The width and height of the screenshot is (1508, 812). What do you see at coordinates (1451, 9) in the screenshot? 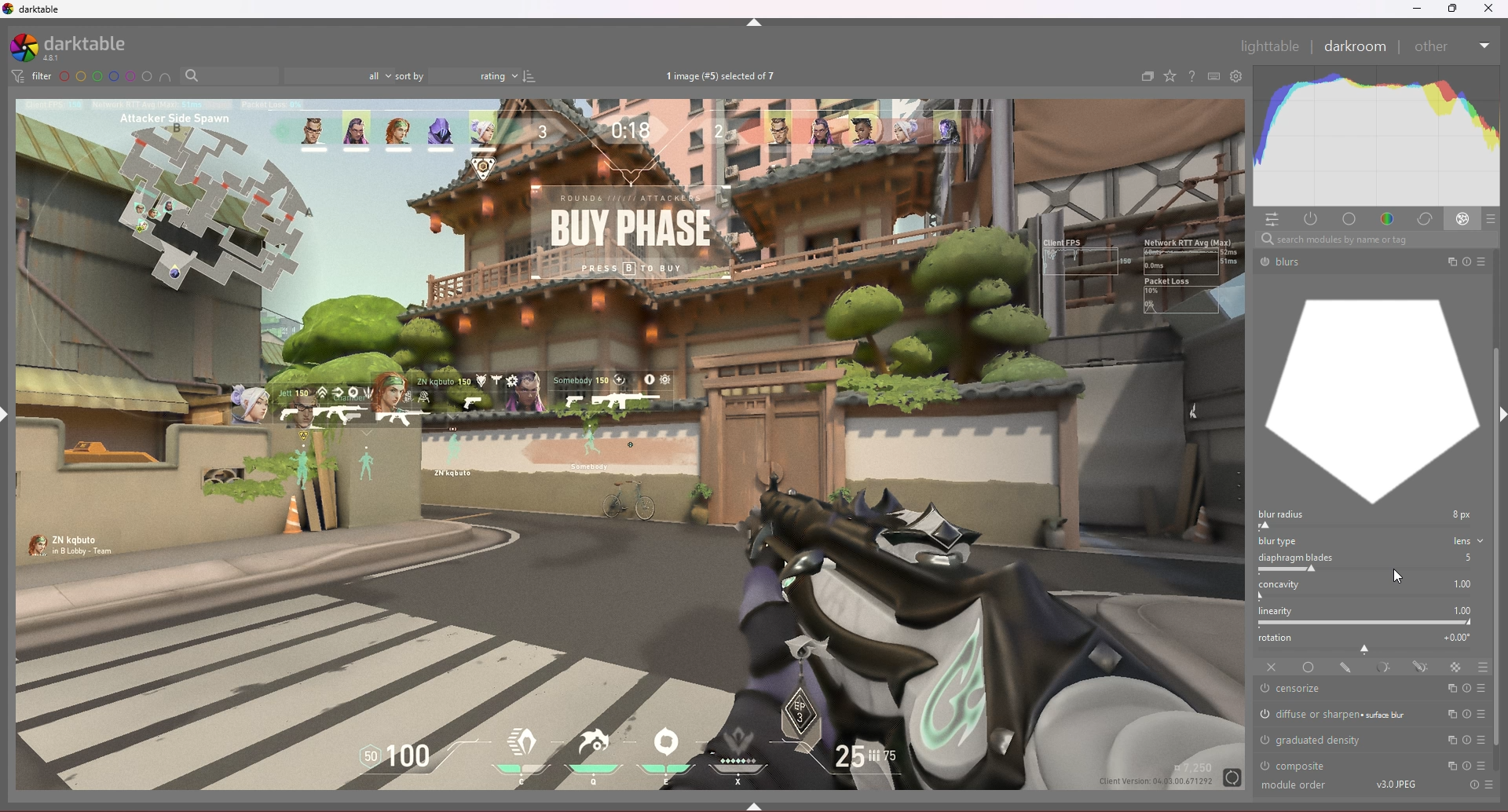
I see `resize` at bounding box center [1451, 9].